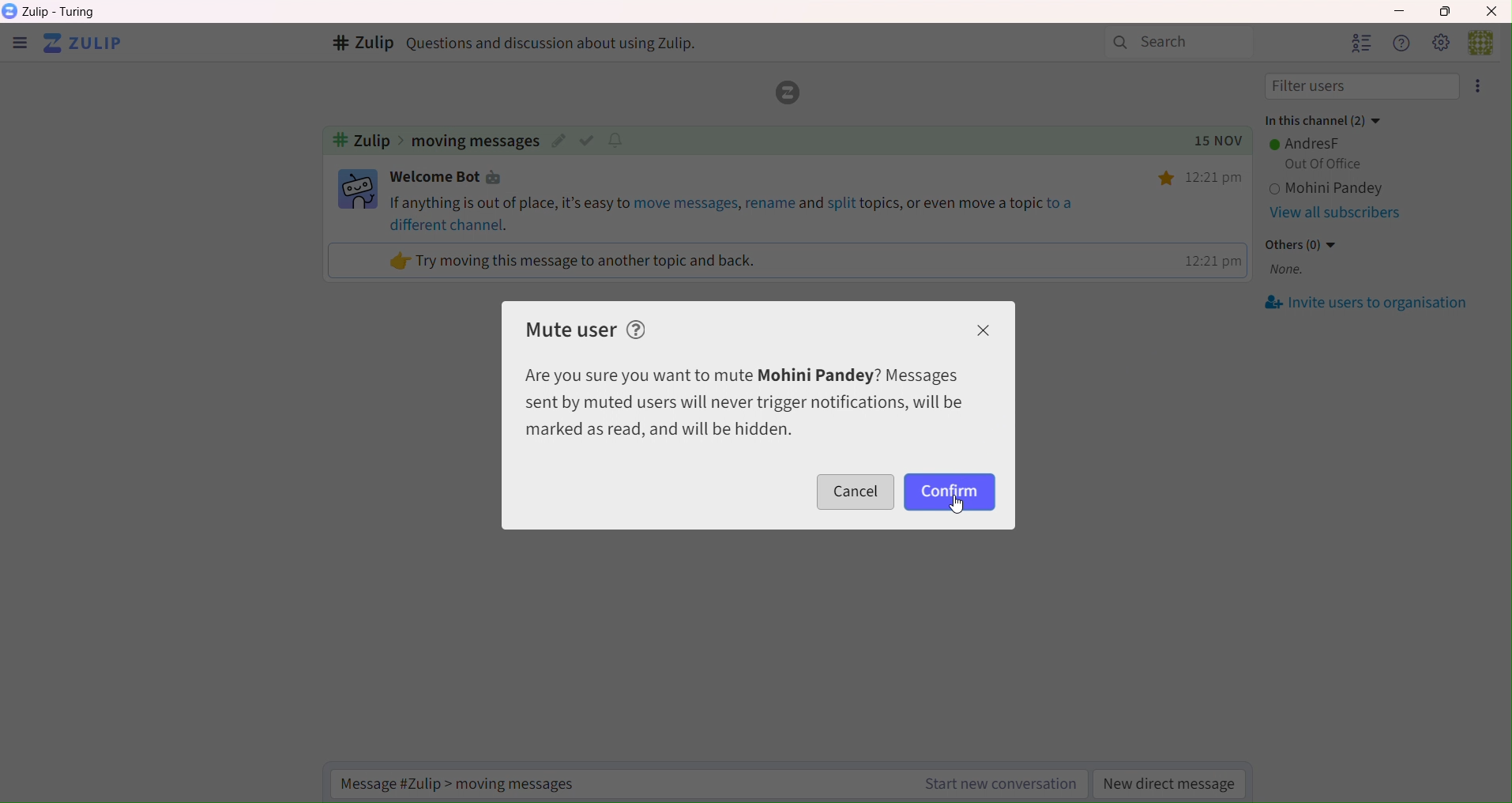 The height and width of the screenshot is (803, 1512). What do you see at coordinates (1308, 143) in the screenshot?
I see `AndresF` at bounding box center [1308, 143].